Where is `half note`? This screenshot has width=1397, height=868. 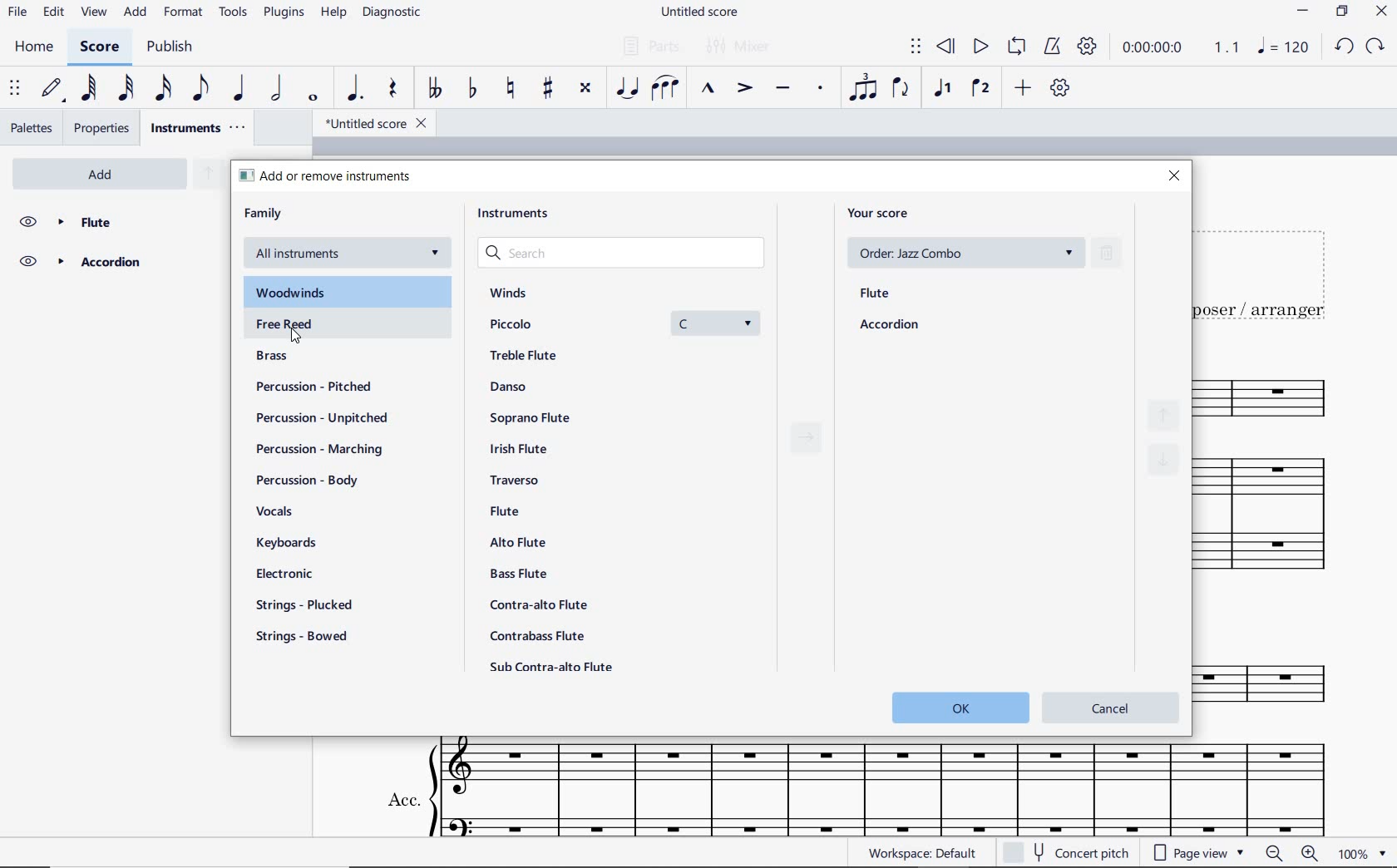 half note is located at coordinates (279, 89).